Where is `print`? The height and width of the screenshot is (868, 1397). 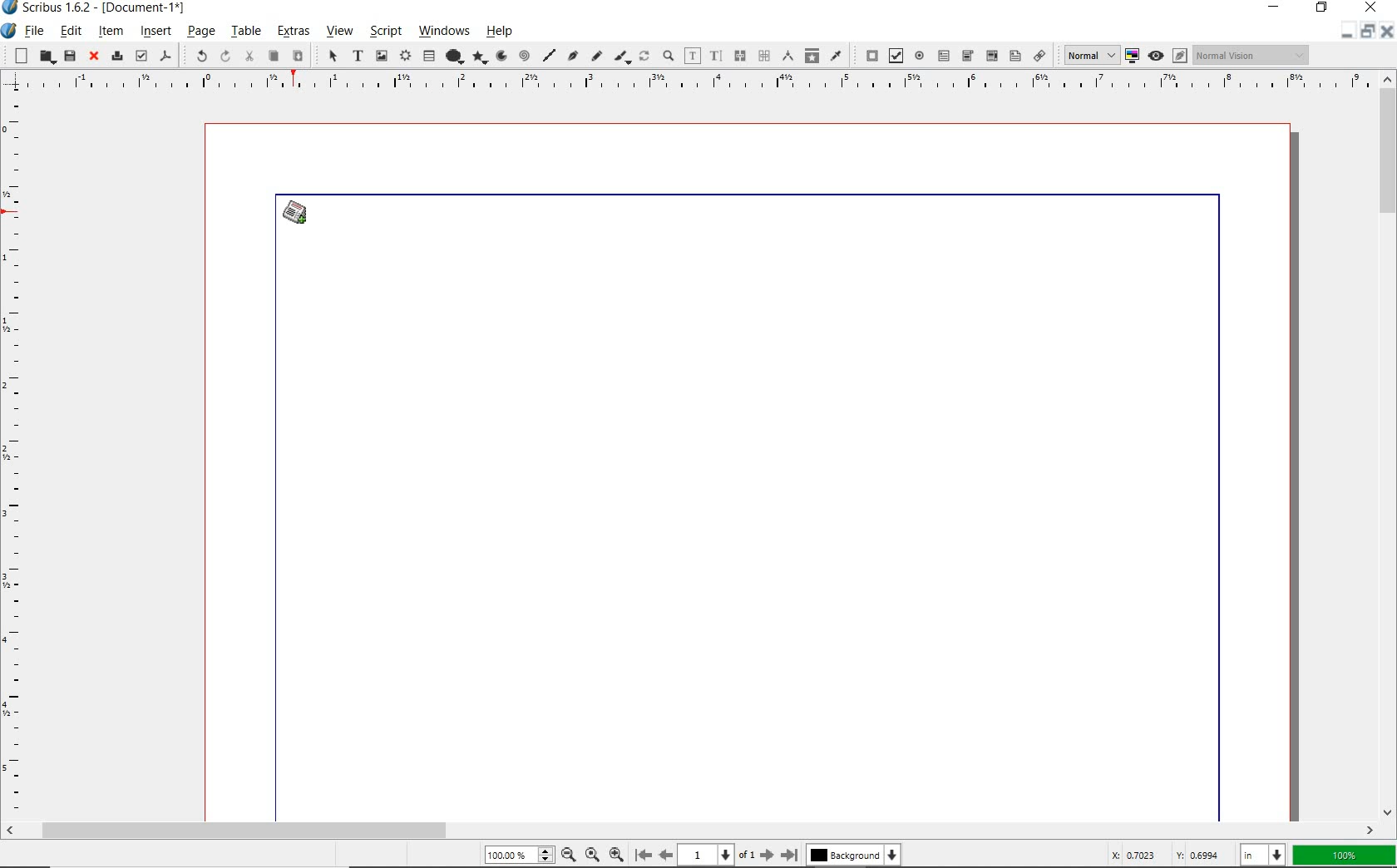 print is located at coordinates (116, 57).